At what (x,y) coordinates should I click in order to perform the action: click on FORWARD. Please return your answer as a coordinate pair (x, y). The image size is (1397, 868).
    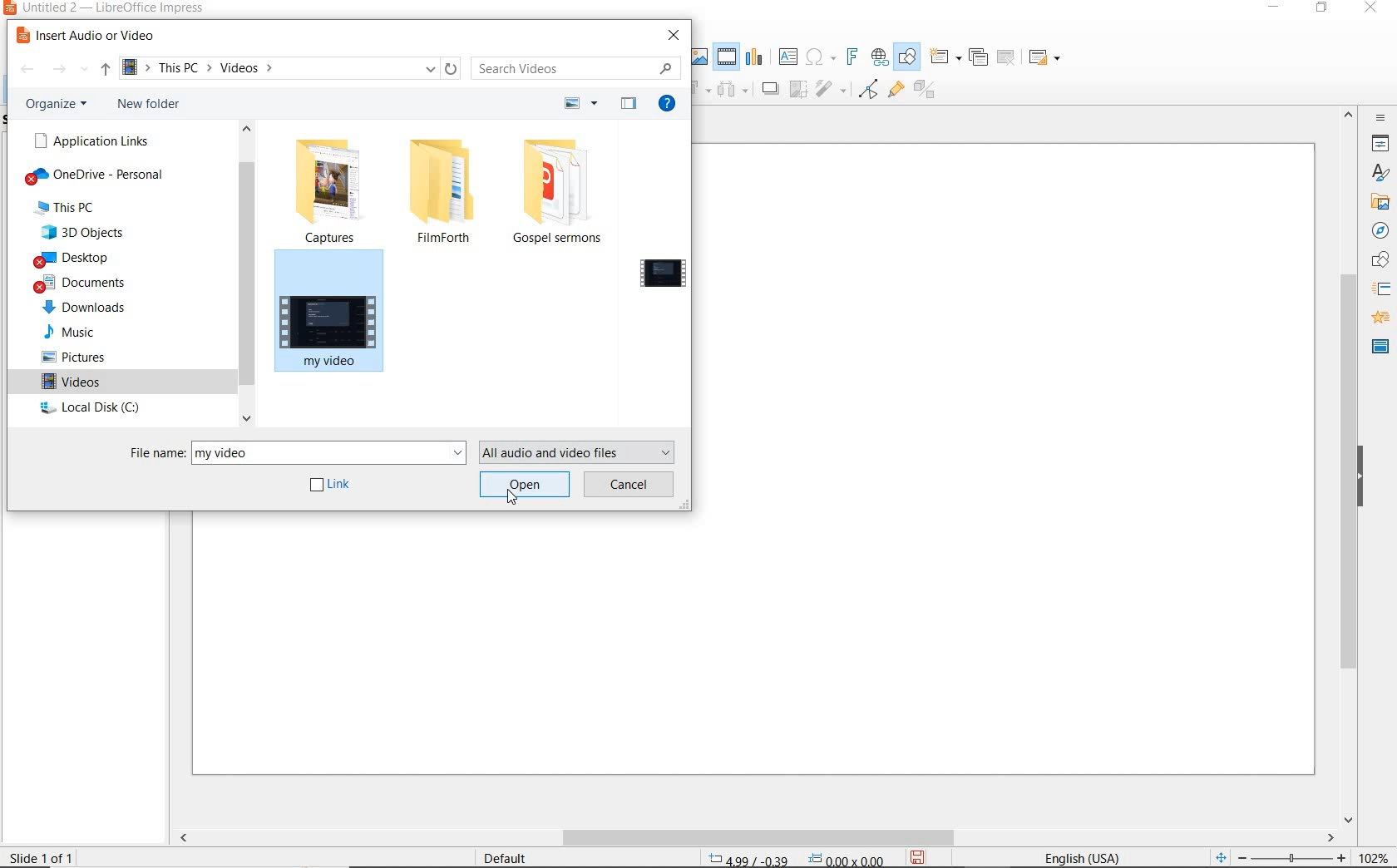
    Looking at the image, I should click on (60, 70).